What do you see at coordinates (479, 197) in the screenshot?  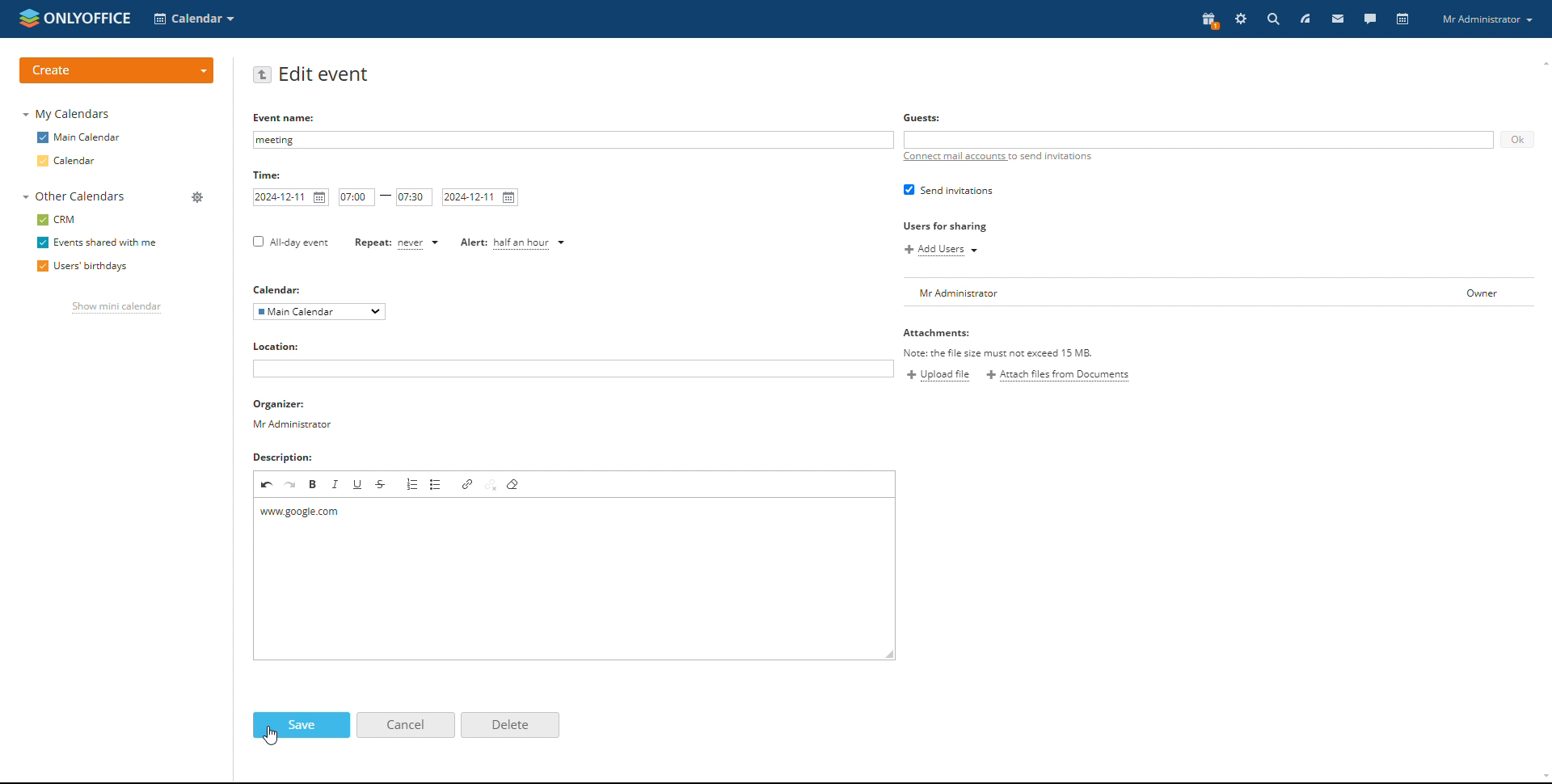 I see `end date` at bounding box center [479, 197].